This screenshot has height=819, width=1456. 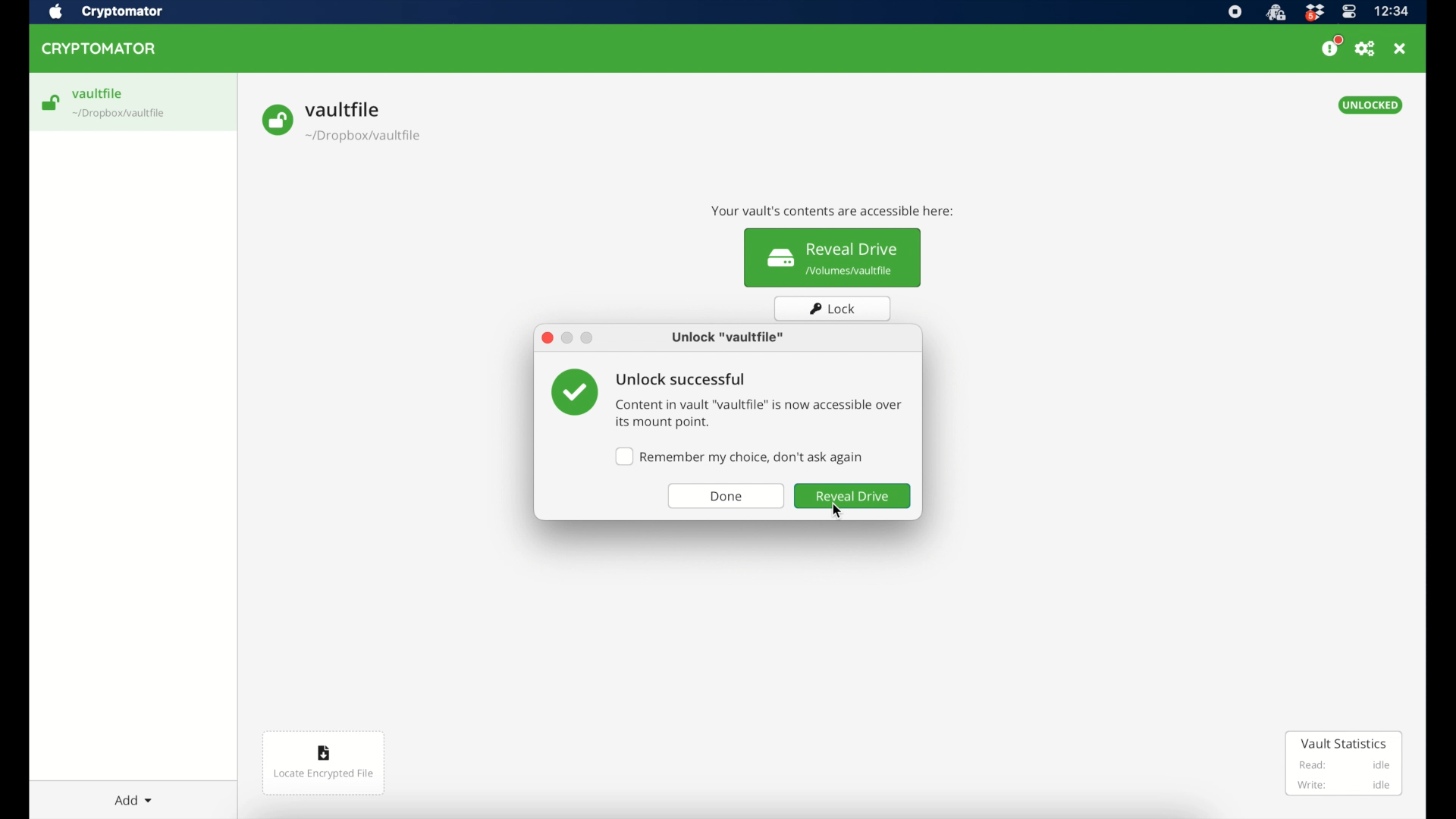 What do you see at coordinates (1348, 11) in the screenshot?
I see `control center` at bounding box center [1348, 11].